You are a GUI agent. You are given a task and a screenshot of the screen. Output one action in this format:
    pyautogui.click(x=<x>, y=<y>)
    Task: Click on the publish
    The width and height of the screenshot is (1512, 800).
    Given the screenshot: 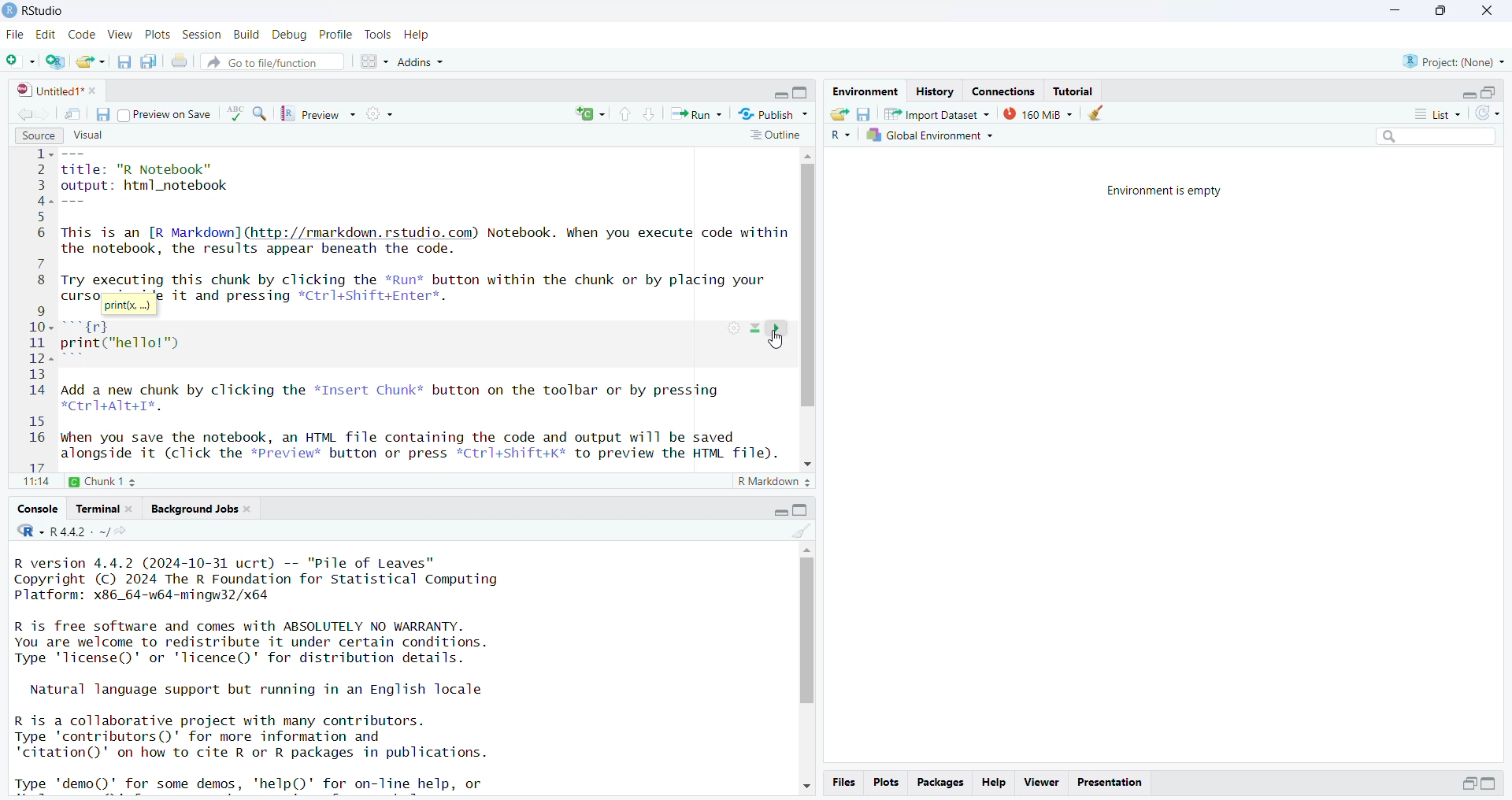 What is the action you would take?
    pyautogui.click(x=772, y=113)
    